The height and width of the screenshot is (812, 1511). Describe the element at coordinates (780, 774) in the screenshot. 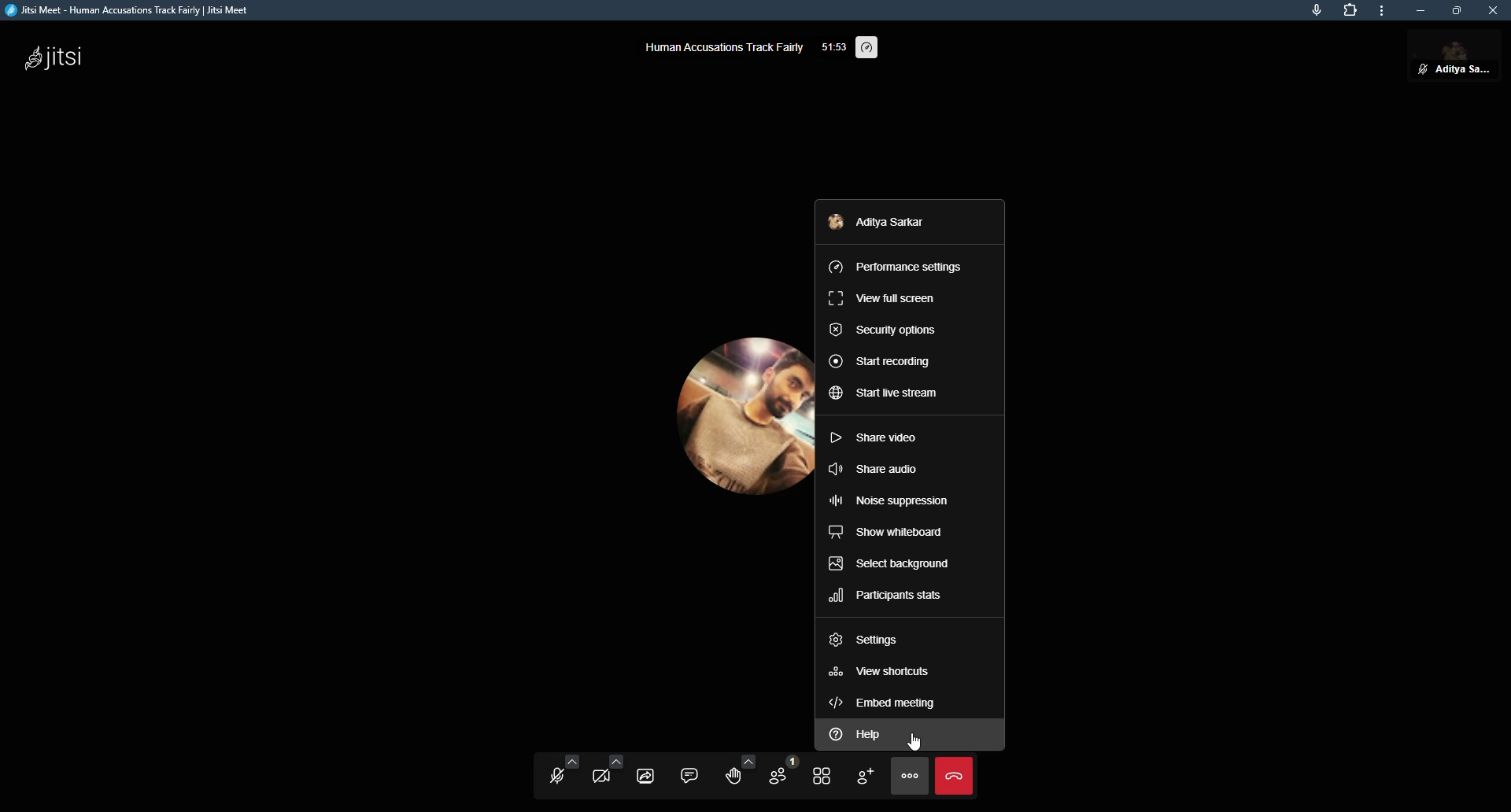

I see `participants` at that location.